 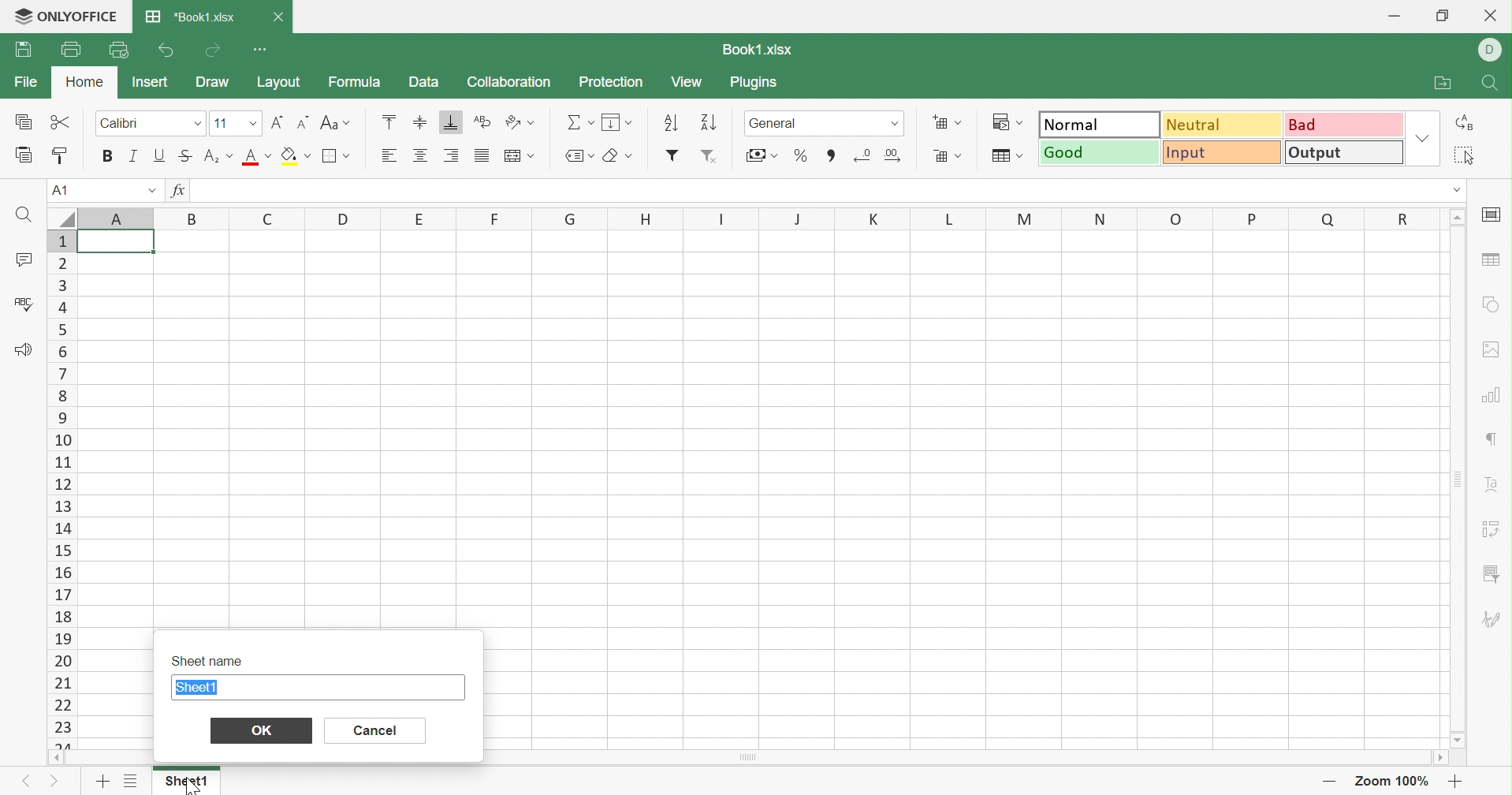 I want to click on Comma style, so click(x=830, y=155).